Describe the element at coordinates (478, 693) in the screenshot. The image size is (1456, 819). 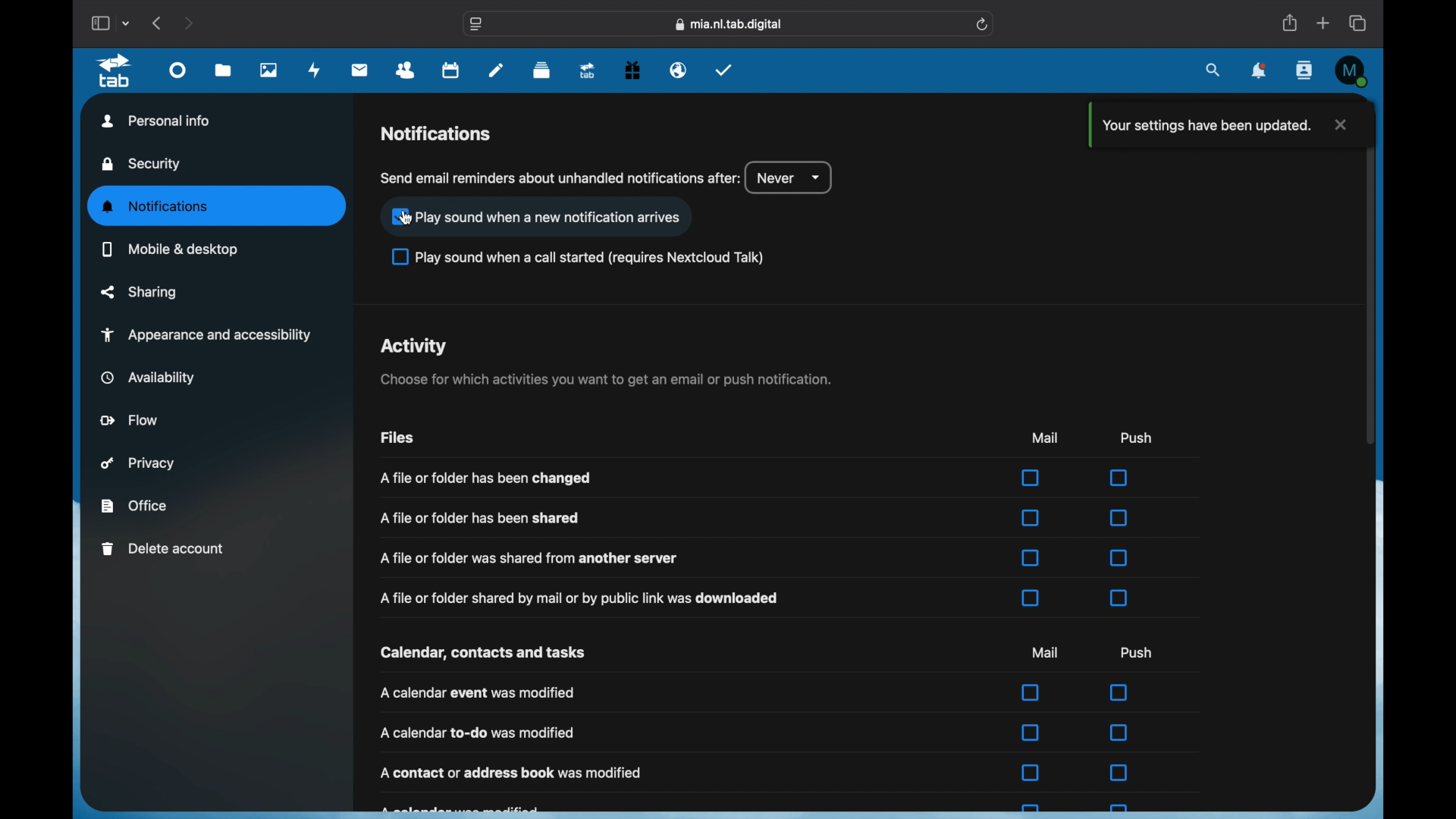
I see `a calendar event was modified` at that location.